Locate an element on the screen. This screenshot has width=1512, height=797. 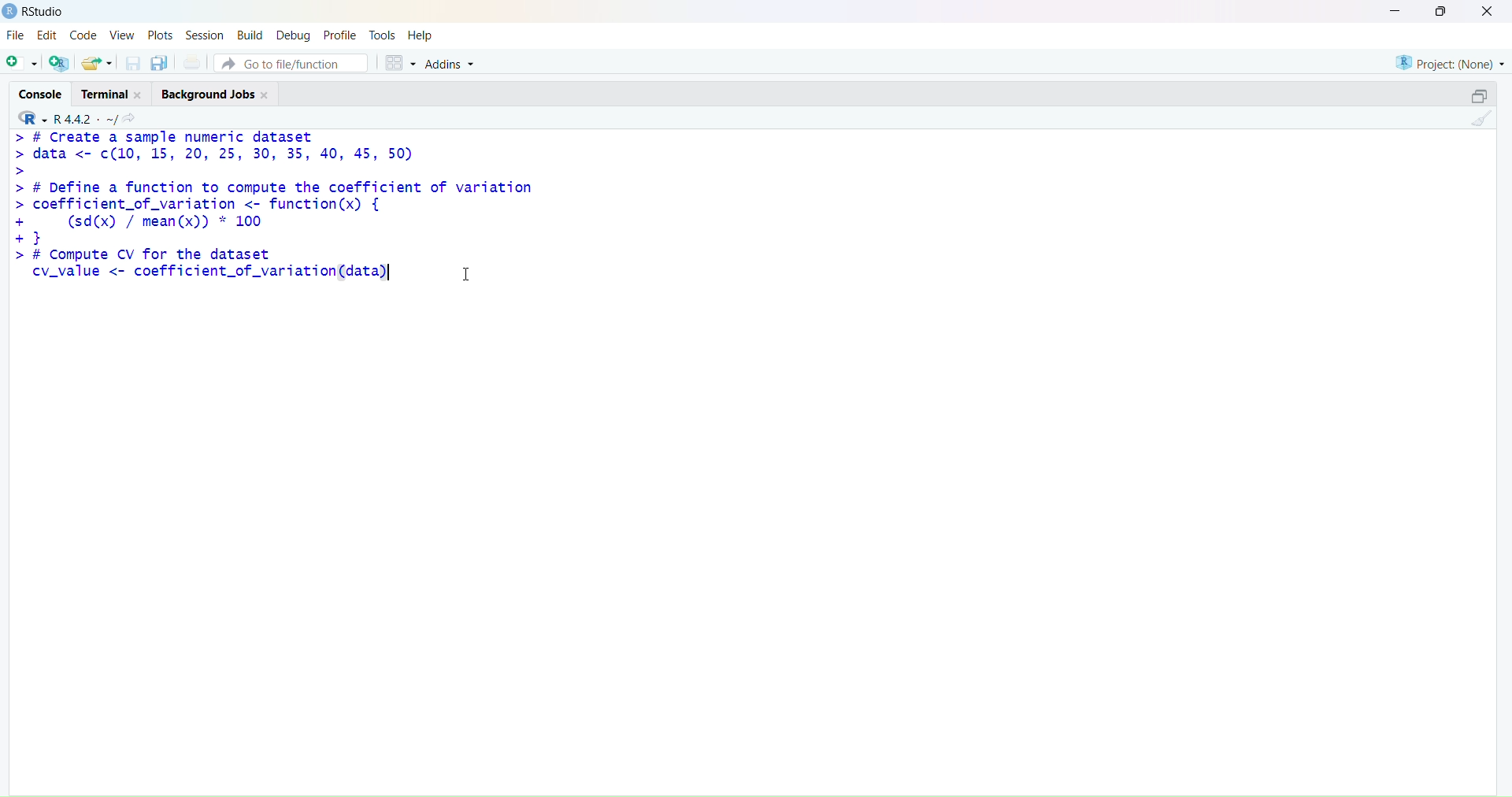
open in separate window  is located at coordinates (1479, 95).